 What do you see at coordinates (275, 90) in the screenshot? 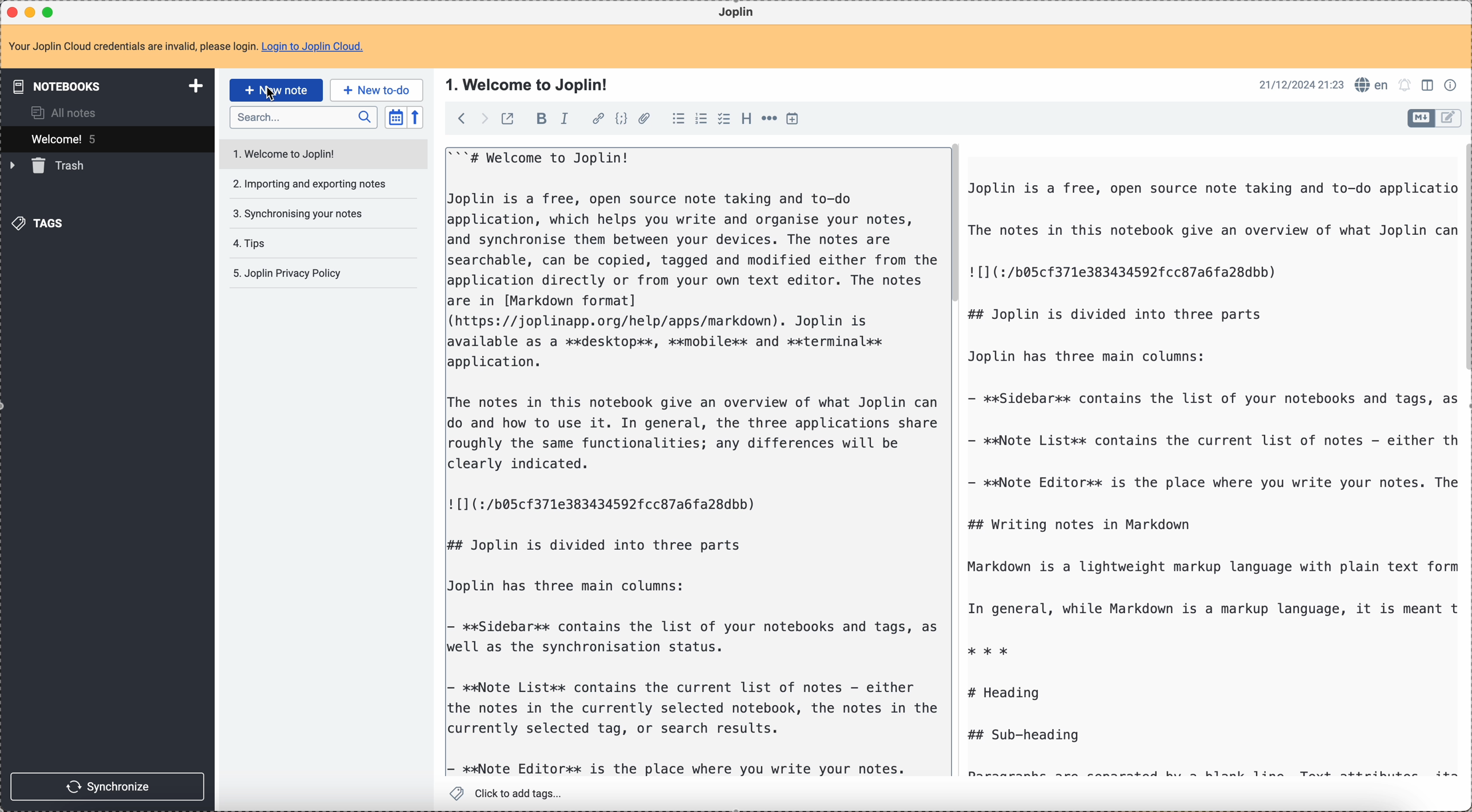
I see `click on new note` at bounding box center [275, 90].